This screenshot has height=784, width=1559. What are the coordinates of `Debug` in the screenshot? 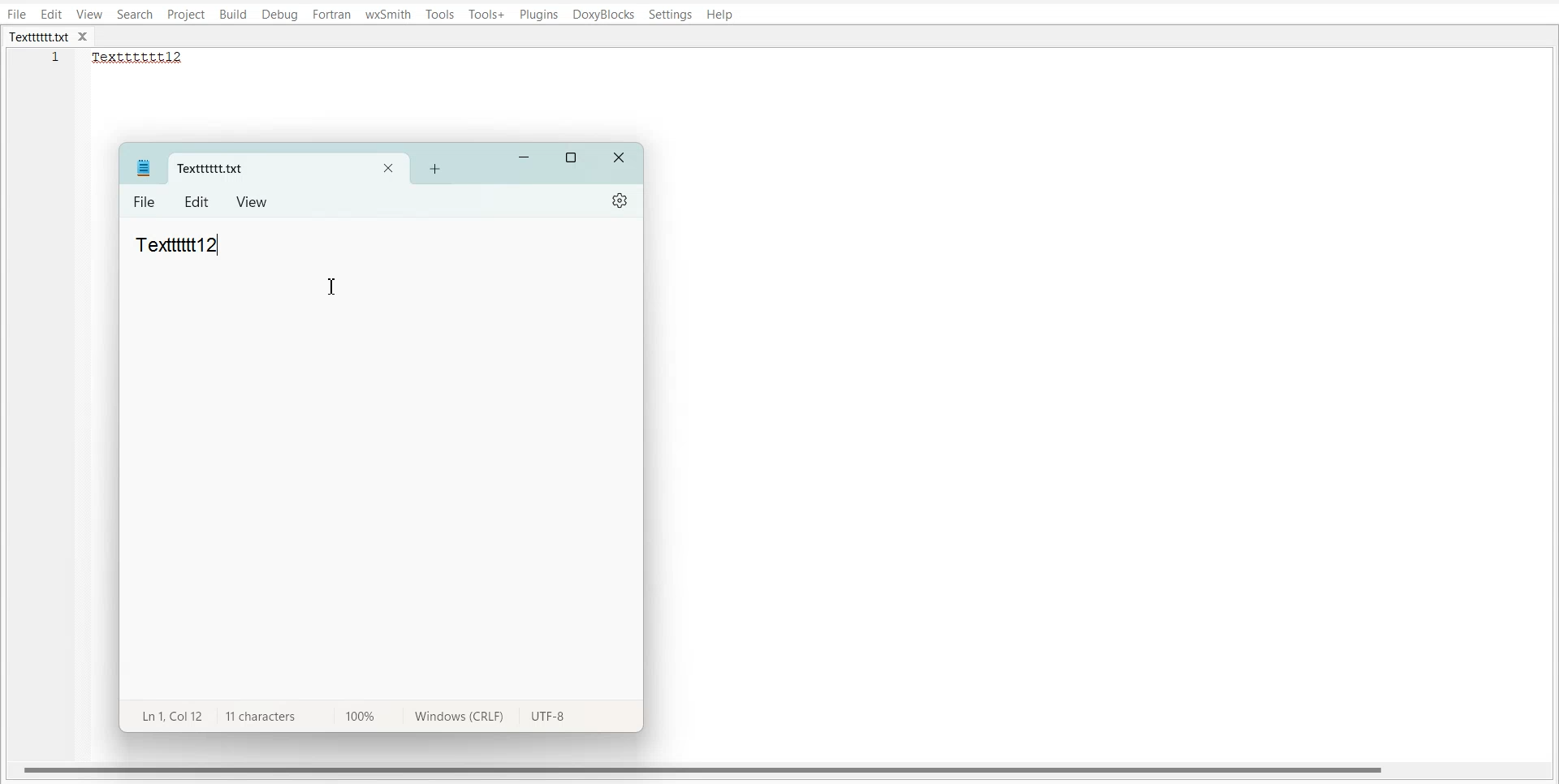 It's located at (279, 15).